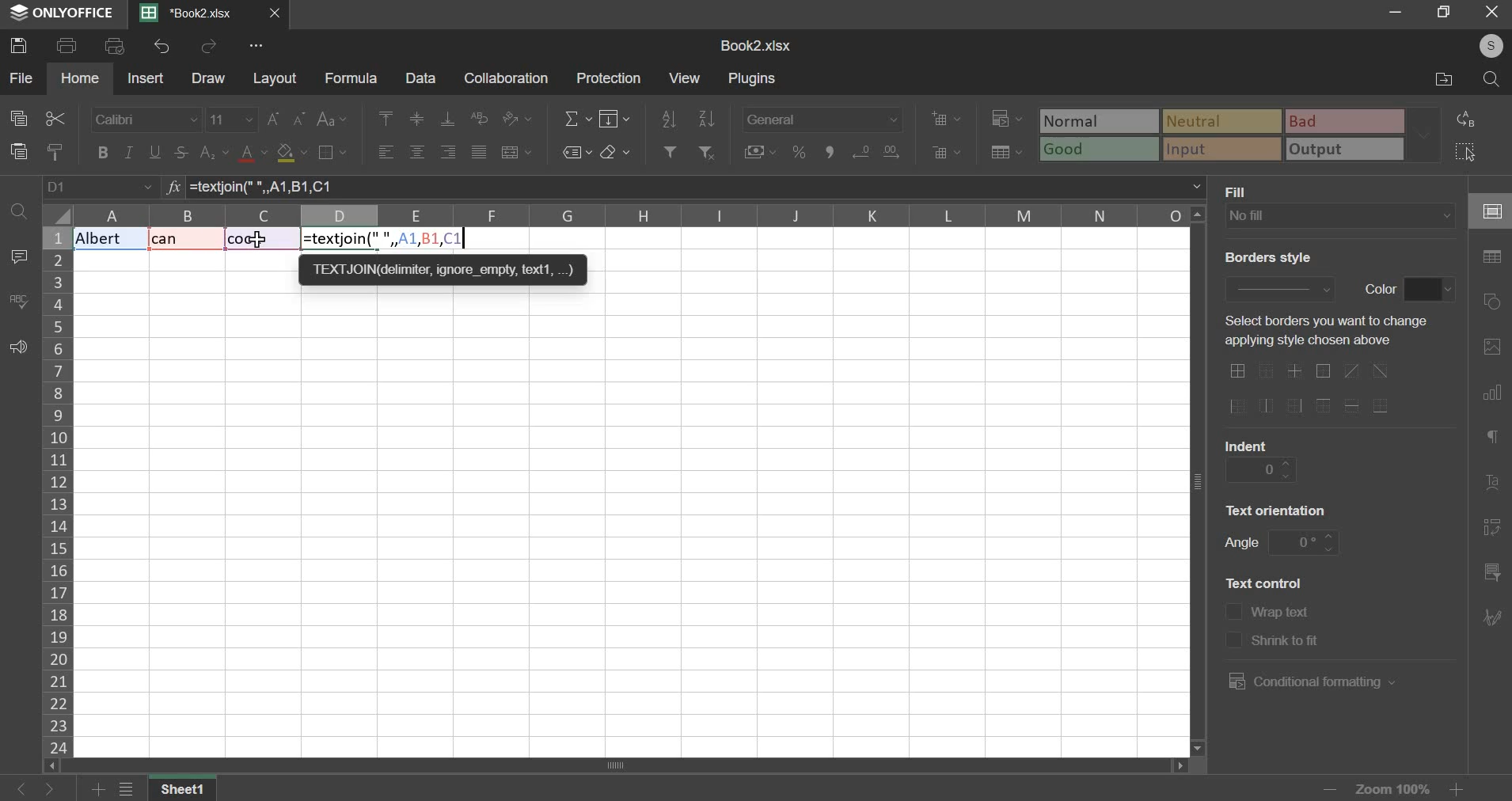  What do you see at coordinates (194, 13) in the screenshot?
I see `Current sheets` at bounding box center [194, 13].